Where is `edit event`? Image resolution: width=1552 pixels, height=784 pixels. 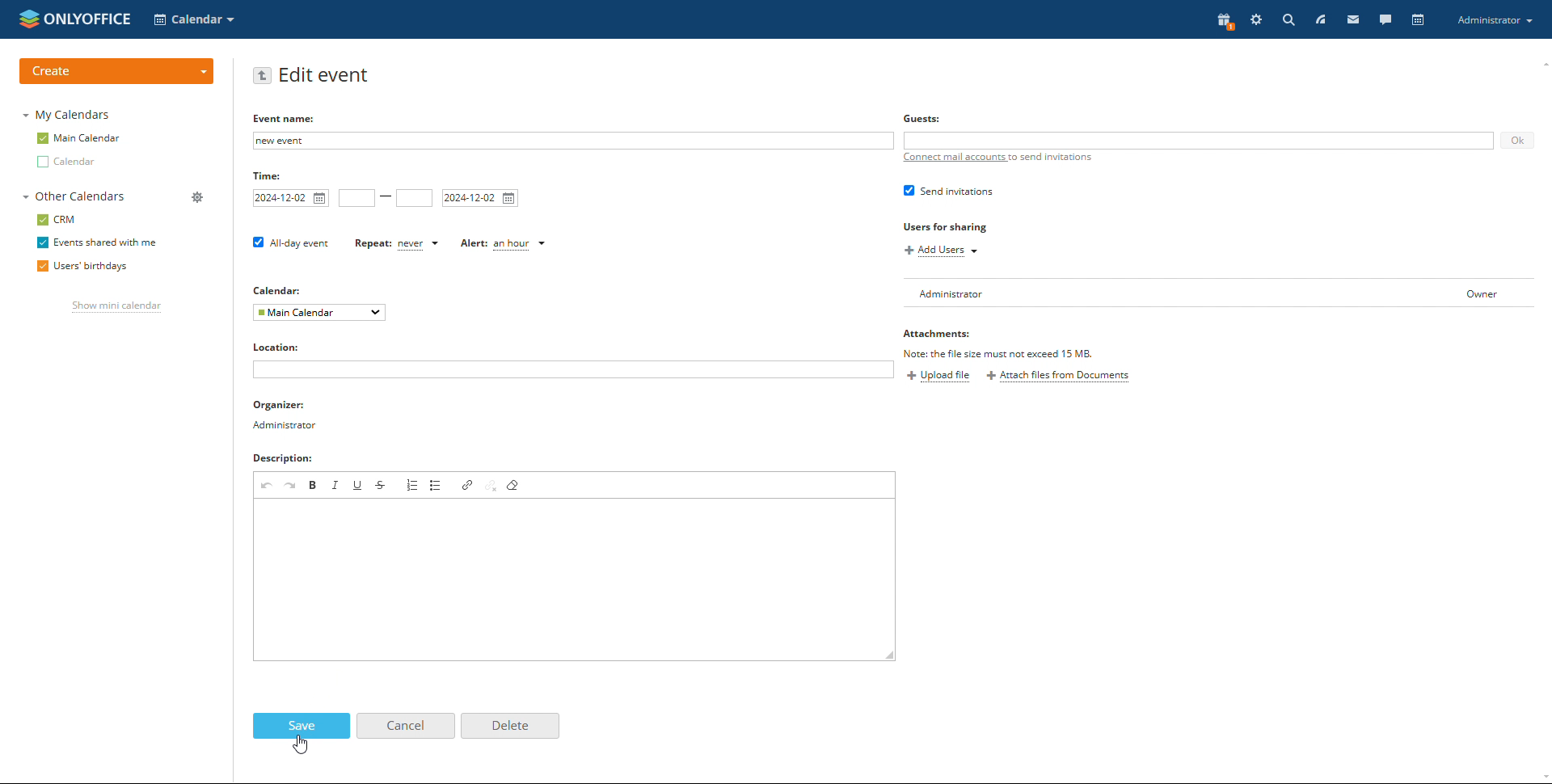 edit event is located at coordinates (324, 76).